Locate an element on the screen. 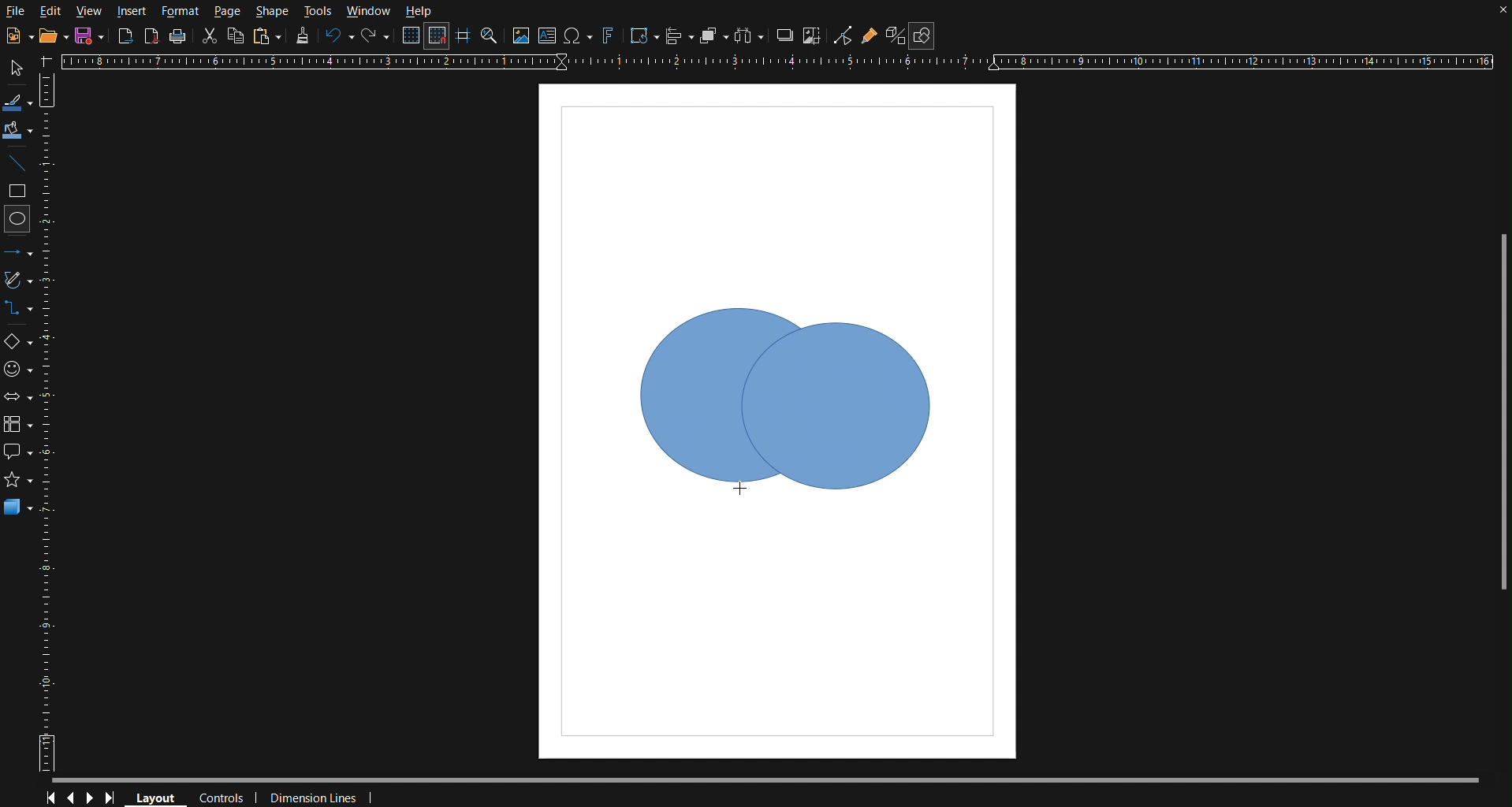  Cursor is located at coordinates (740, 492).